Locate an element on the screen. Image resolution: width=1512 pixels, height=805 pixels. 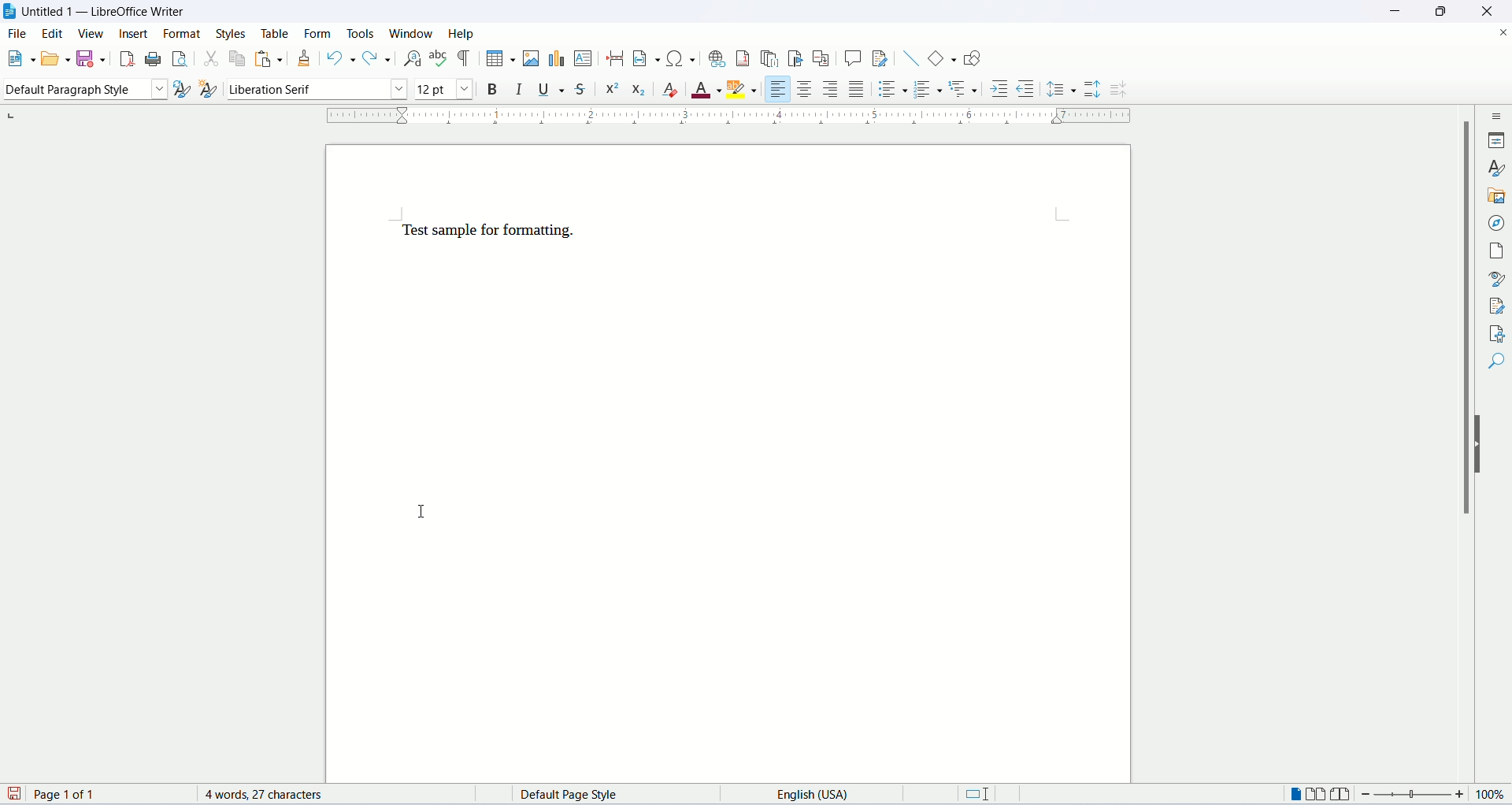
check accessibility is located at coordinates (1495, 333).